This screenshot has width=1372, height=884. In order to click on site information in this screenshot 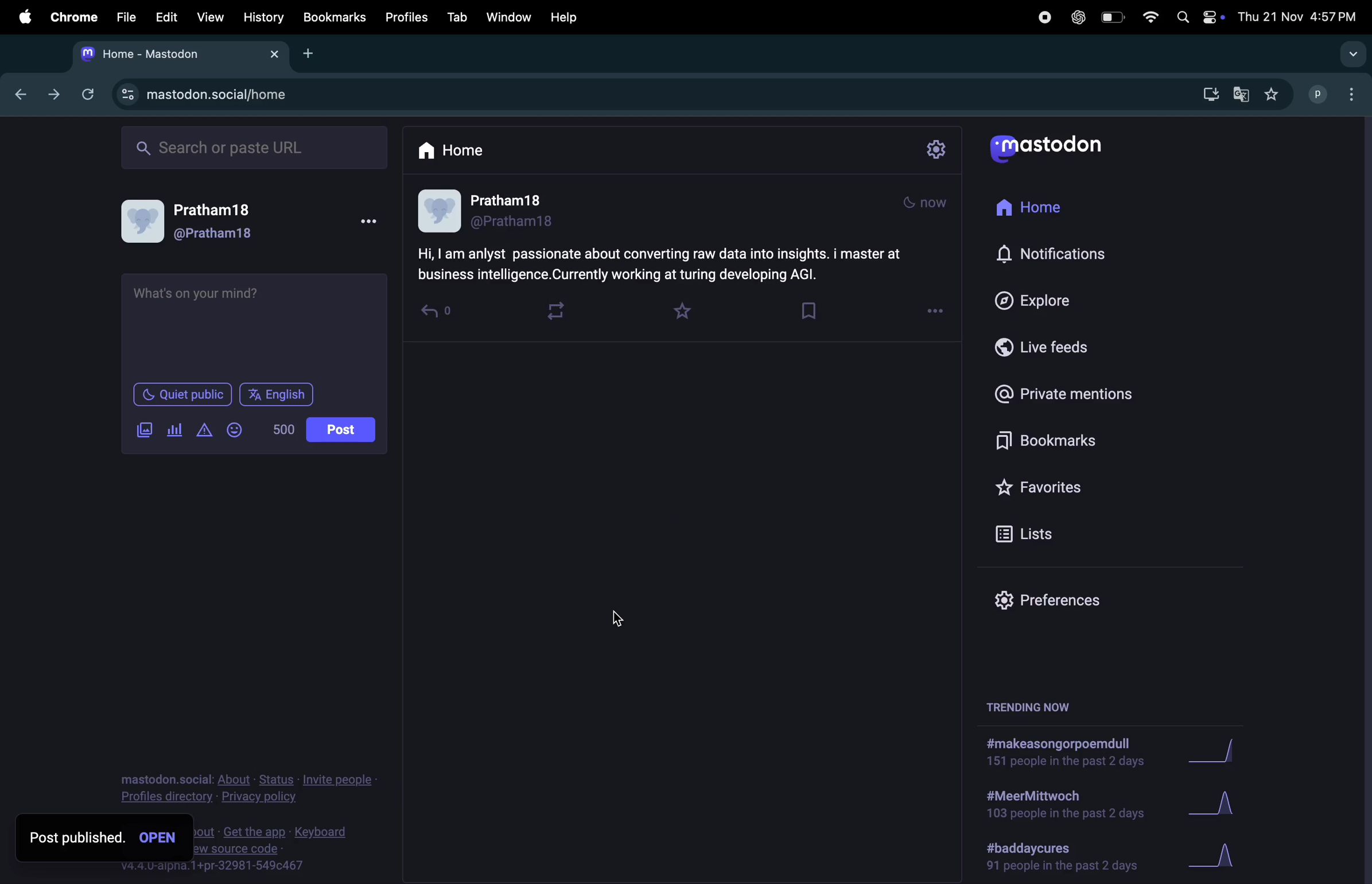, I will do `click(127, 94)`.